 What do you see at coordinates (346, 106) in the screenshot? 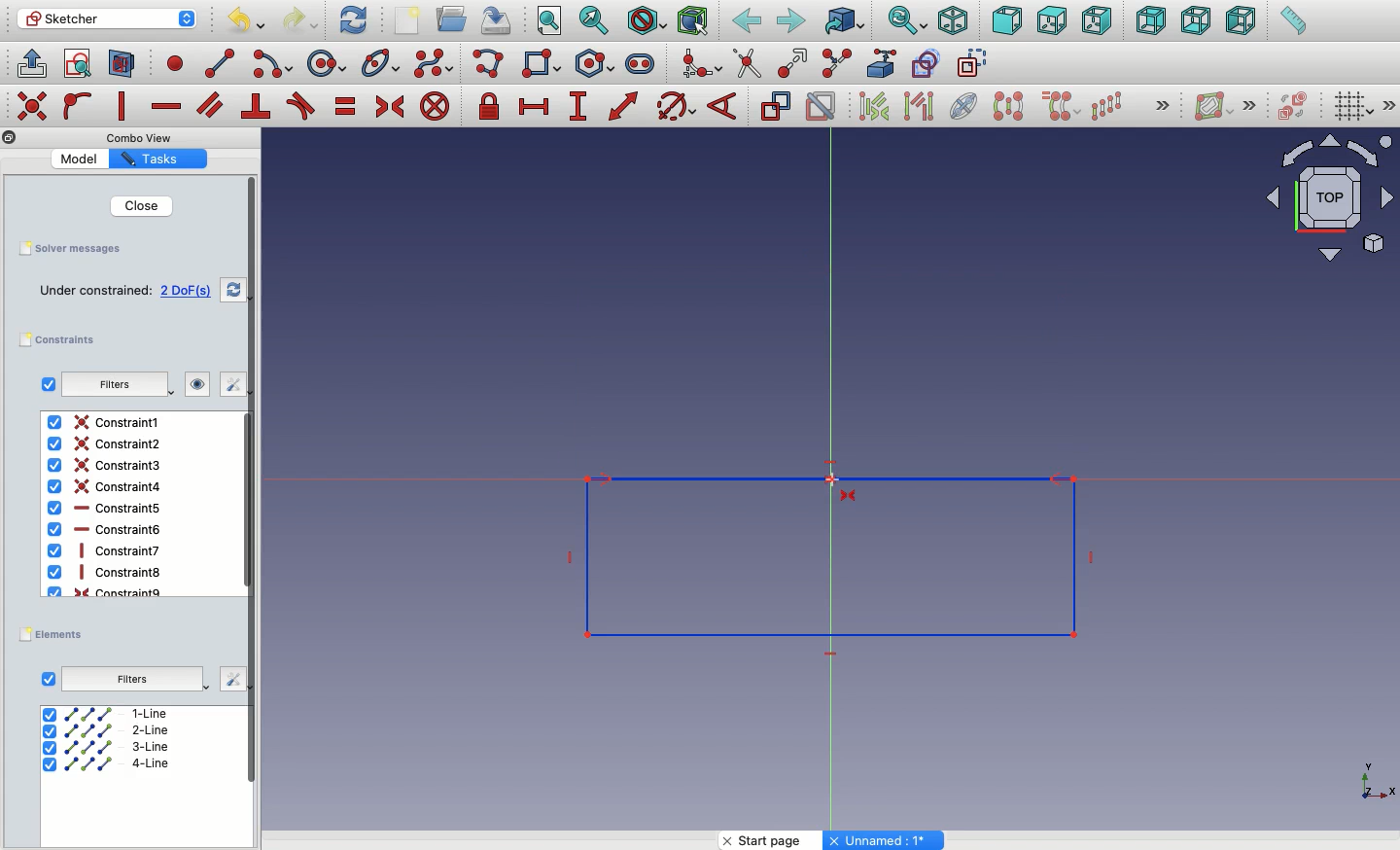
I see `constrain equal` at bounding box center [346, 106].